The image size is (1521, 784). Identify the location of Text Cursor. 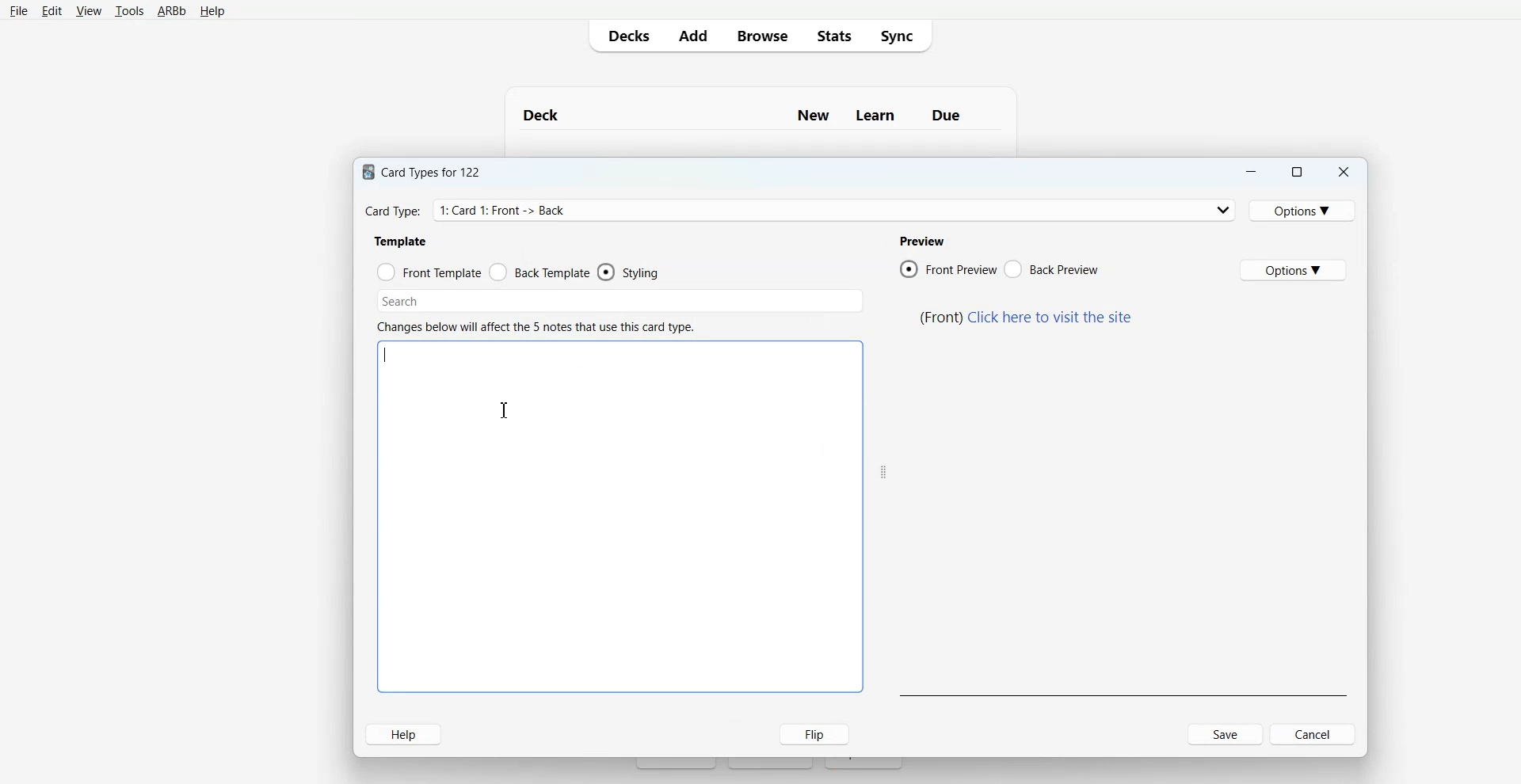
(505, 409).